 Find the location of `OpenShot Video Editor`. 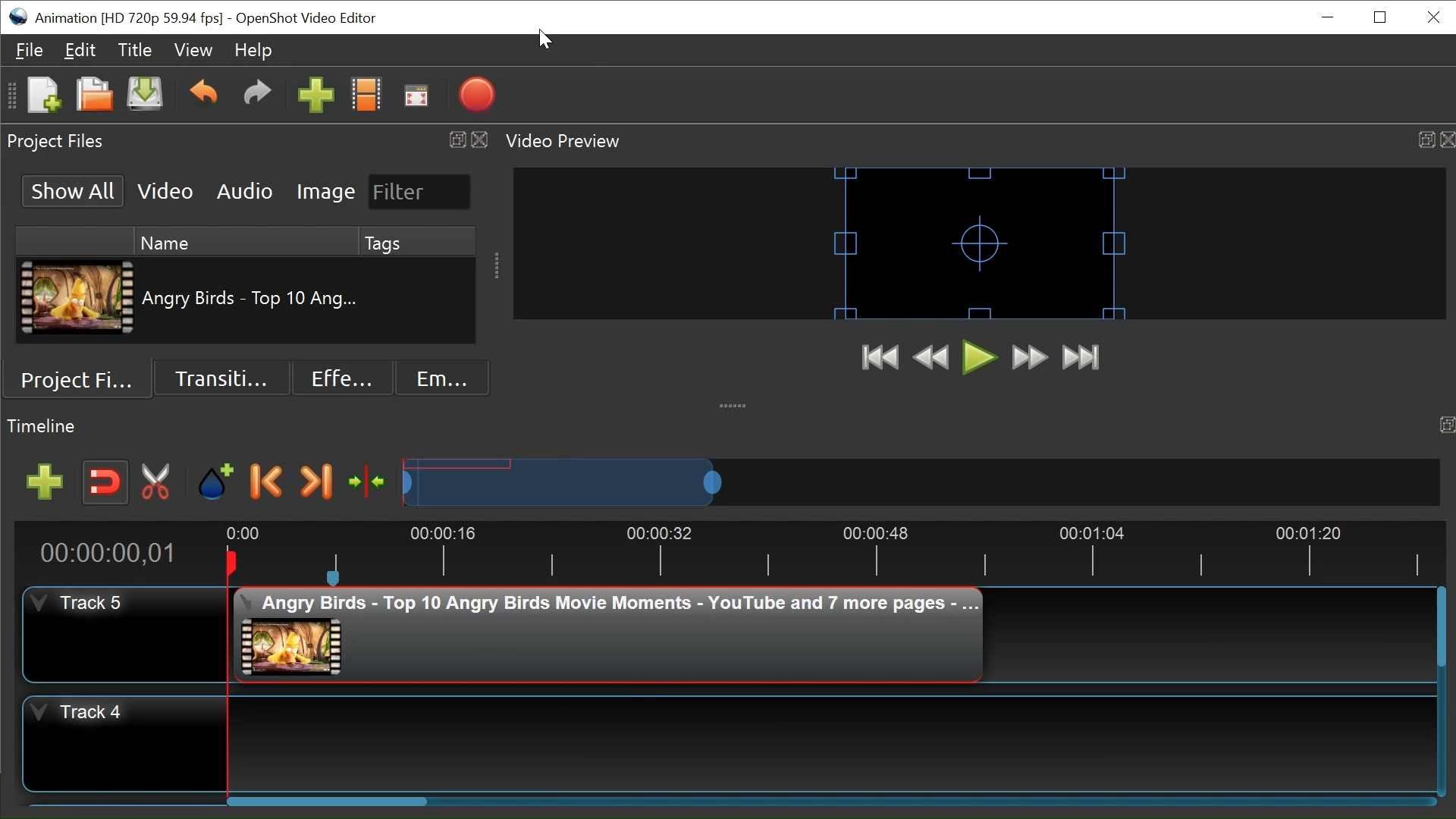

OpenShot Video Editor is located at coordinates (307, 19).